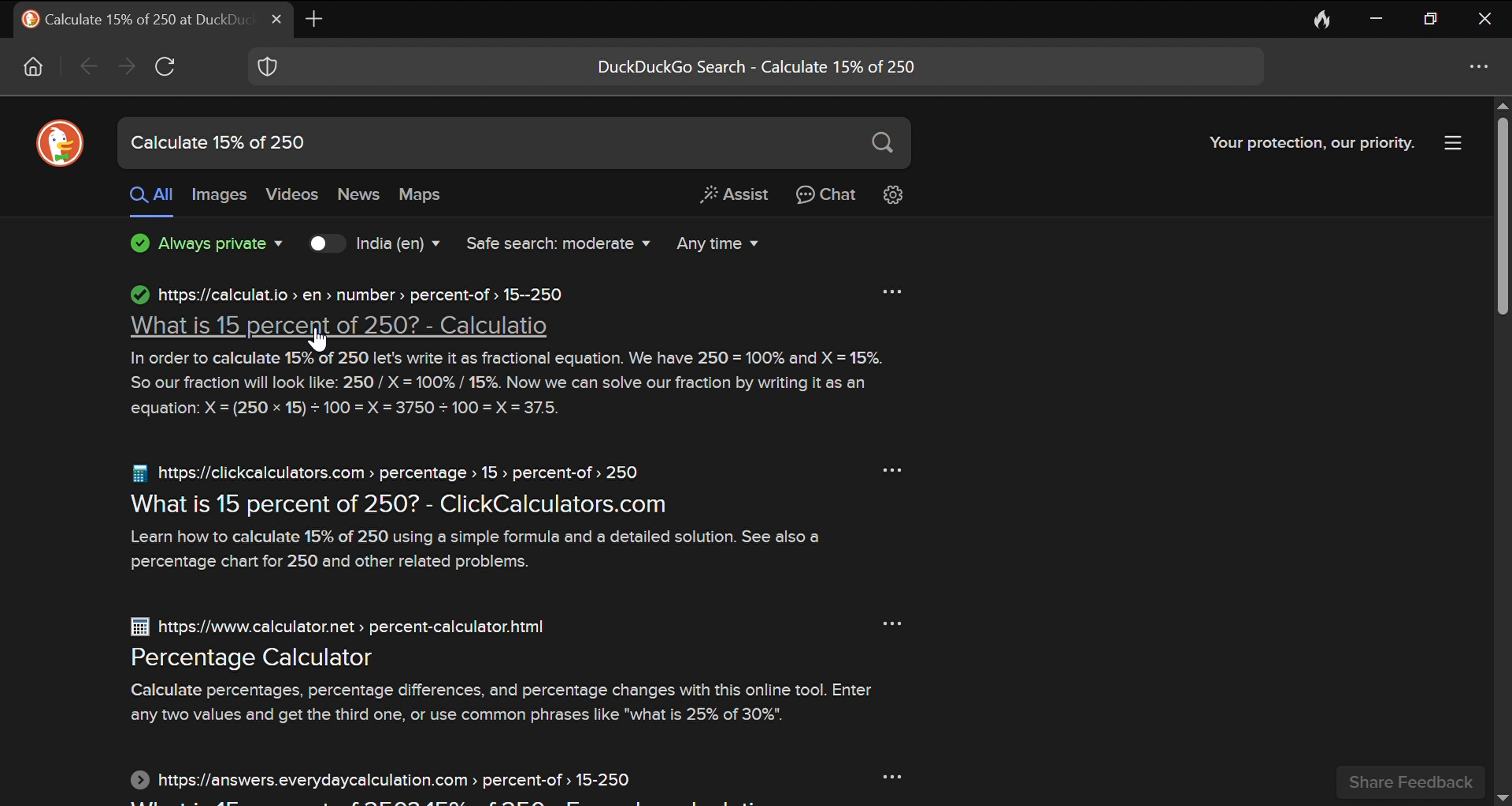 The image size is (1512, 806). Describe the element at coordinates (222, 195) in the screenshot. I see `Images` at that location.